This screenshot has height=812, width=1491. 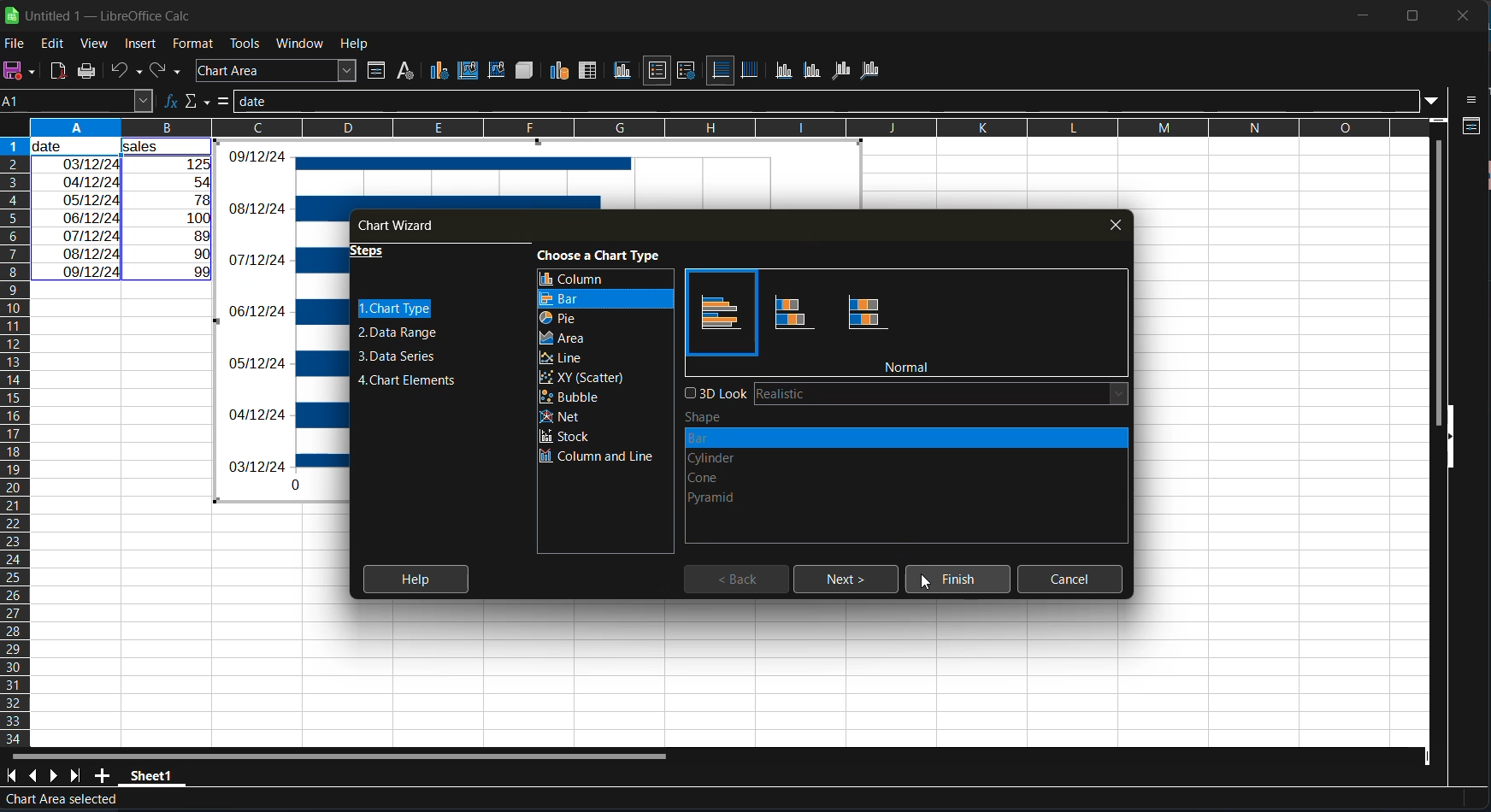 What do you see at coordinates (167, 102) in the screenshot?
I see `function wizard` at bounding box center [167, 102].